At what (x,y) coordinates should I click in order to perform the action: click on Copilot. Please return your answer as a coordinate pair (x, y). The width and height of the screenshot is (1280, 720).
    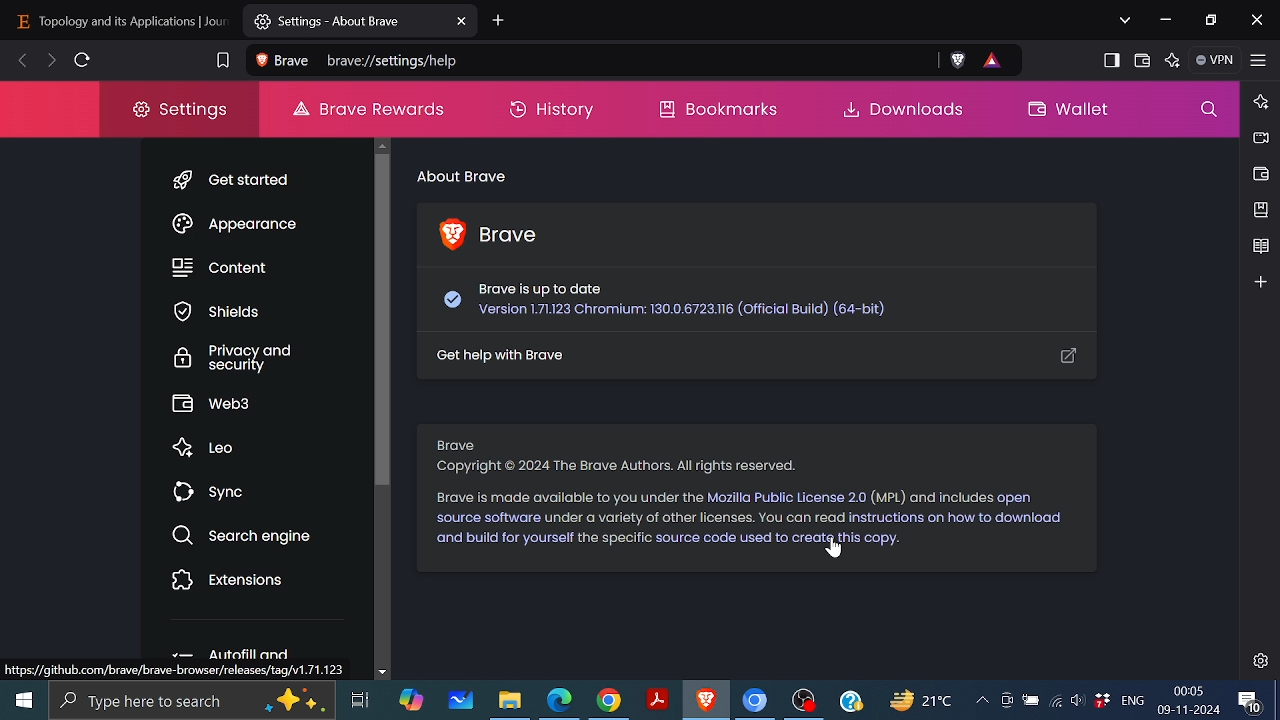
    Looking at the image, I should click on (409, 697).